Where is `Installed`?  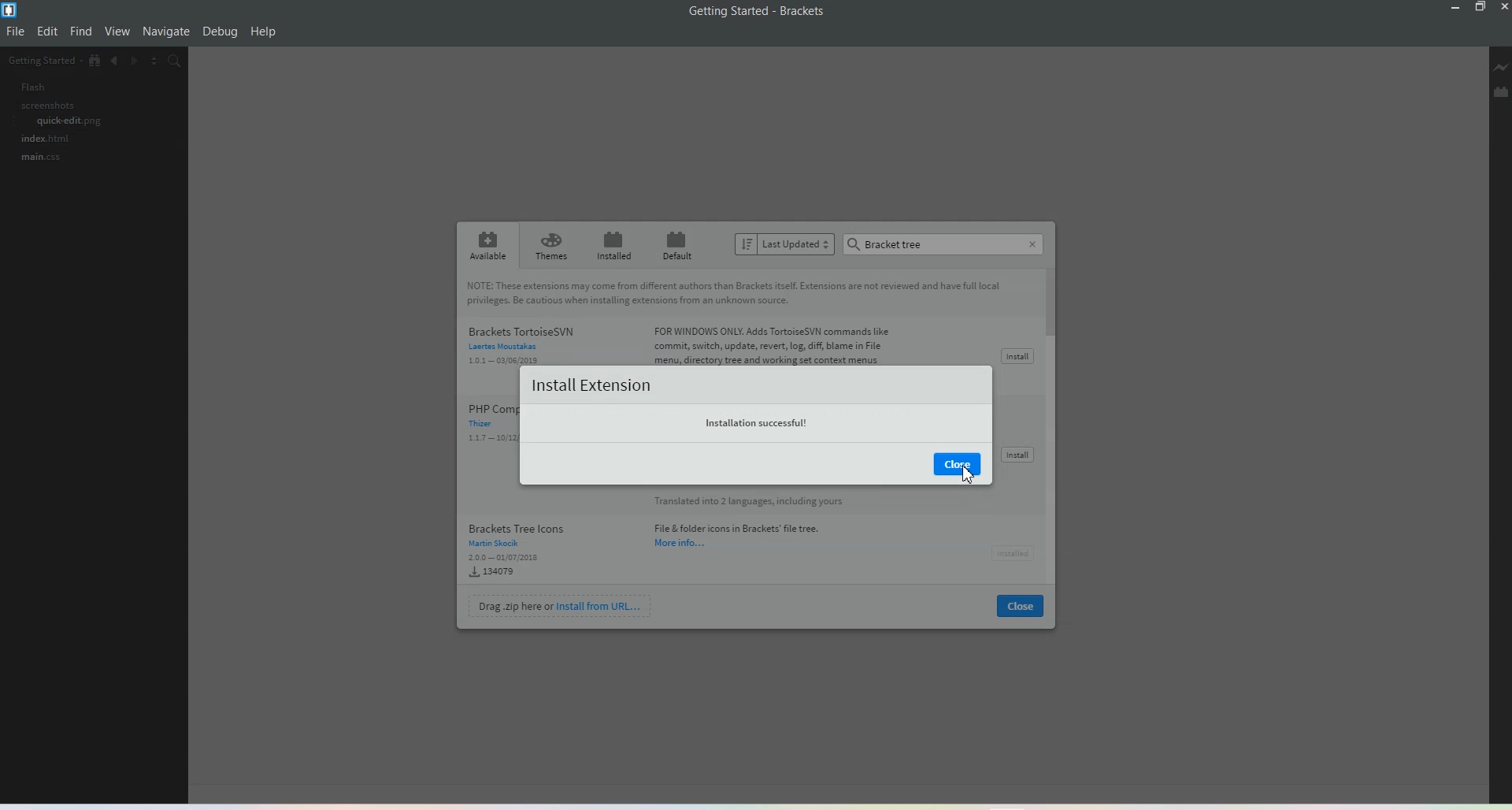
Installed is located at coordinates (614, 245).